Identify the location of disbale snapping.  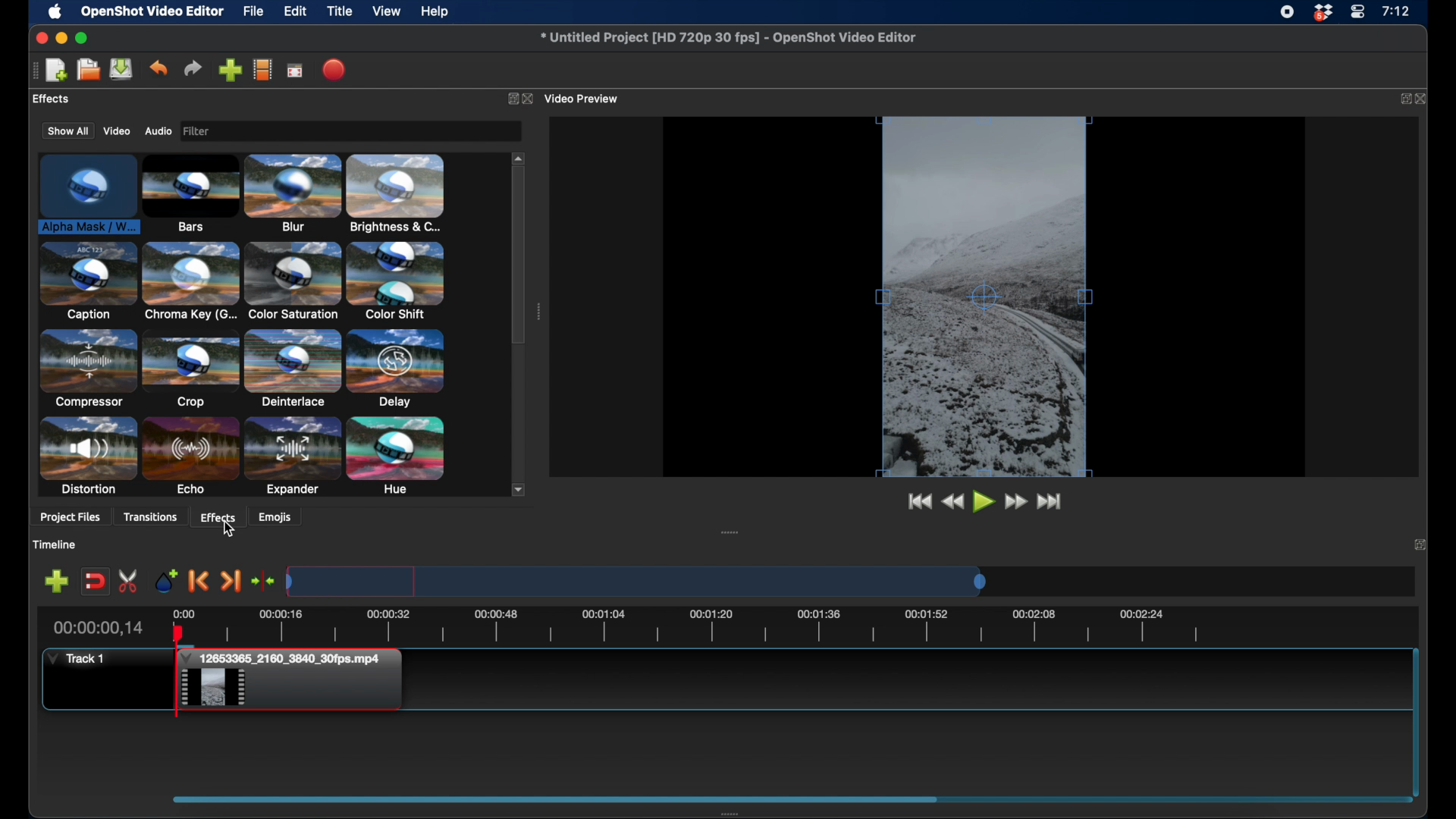
(96, 580).